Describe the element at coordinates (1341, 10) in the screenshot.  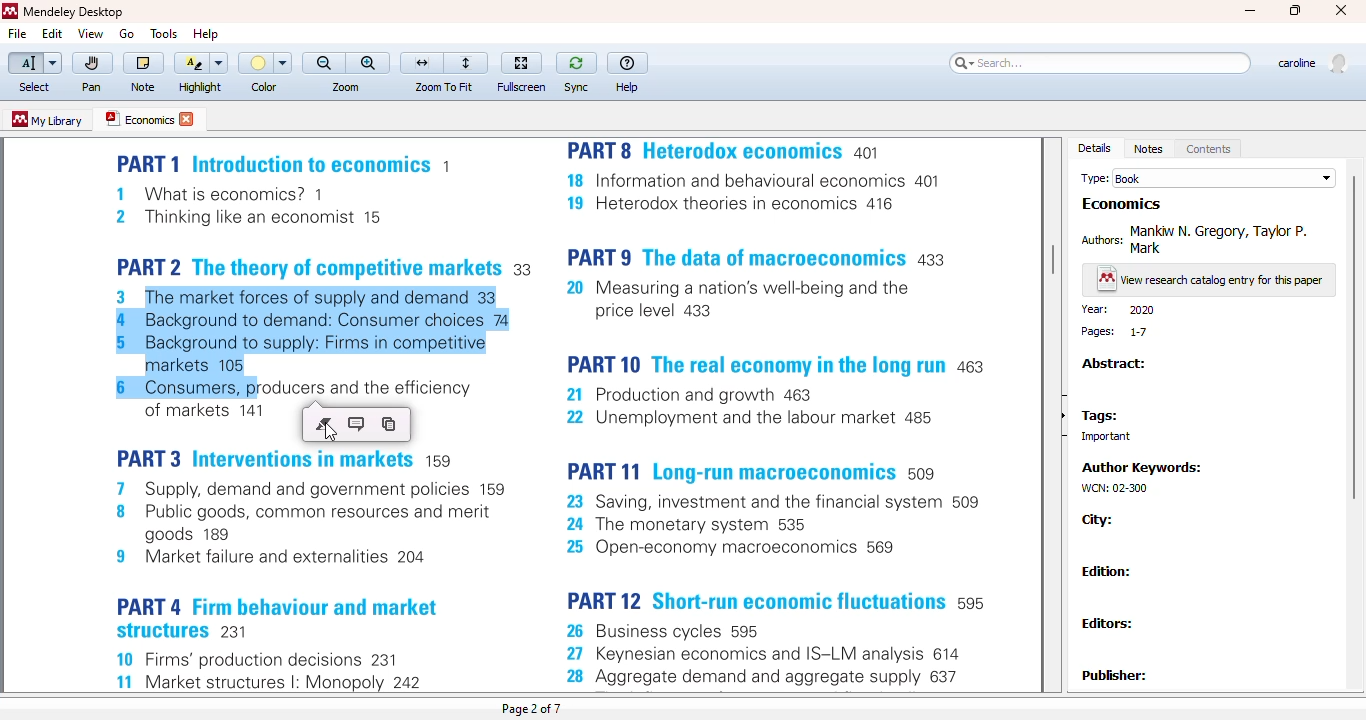
I see `close` at that location.